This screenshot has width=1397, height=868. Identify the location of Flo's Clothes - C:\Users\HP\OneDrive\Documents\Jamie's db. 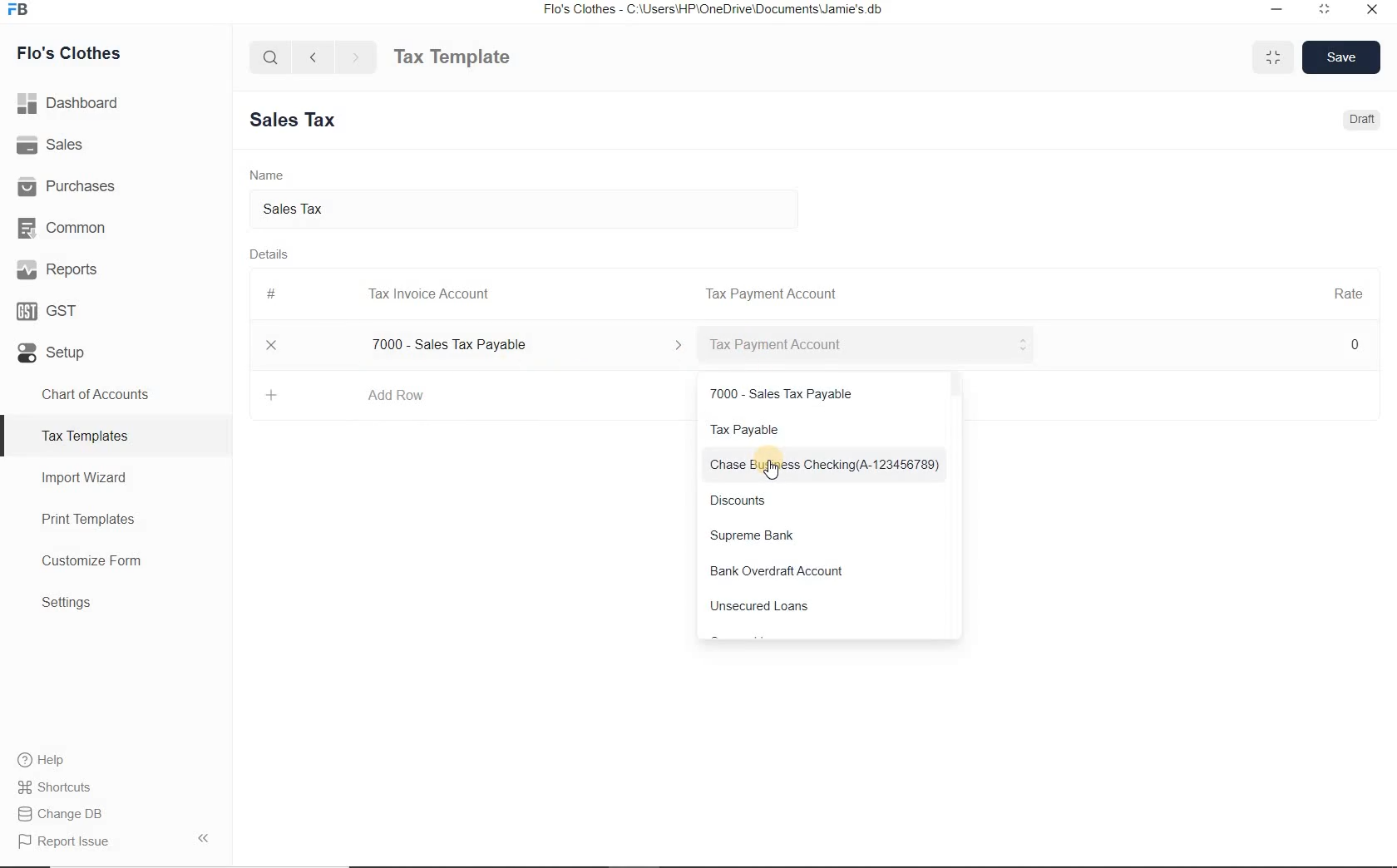
(712, 9).